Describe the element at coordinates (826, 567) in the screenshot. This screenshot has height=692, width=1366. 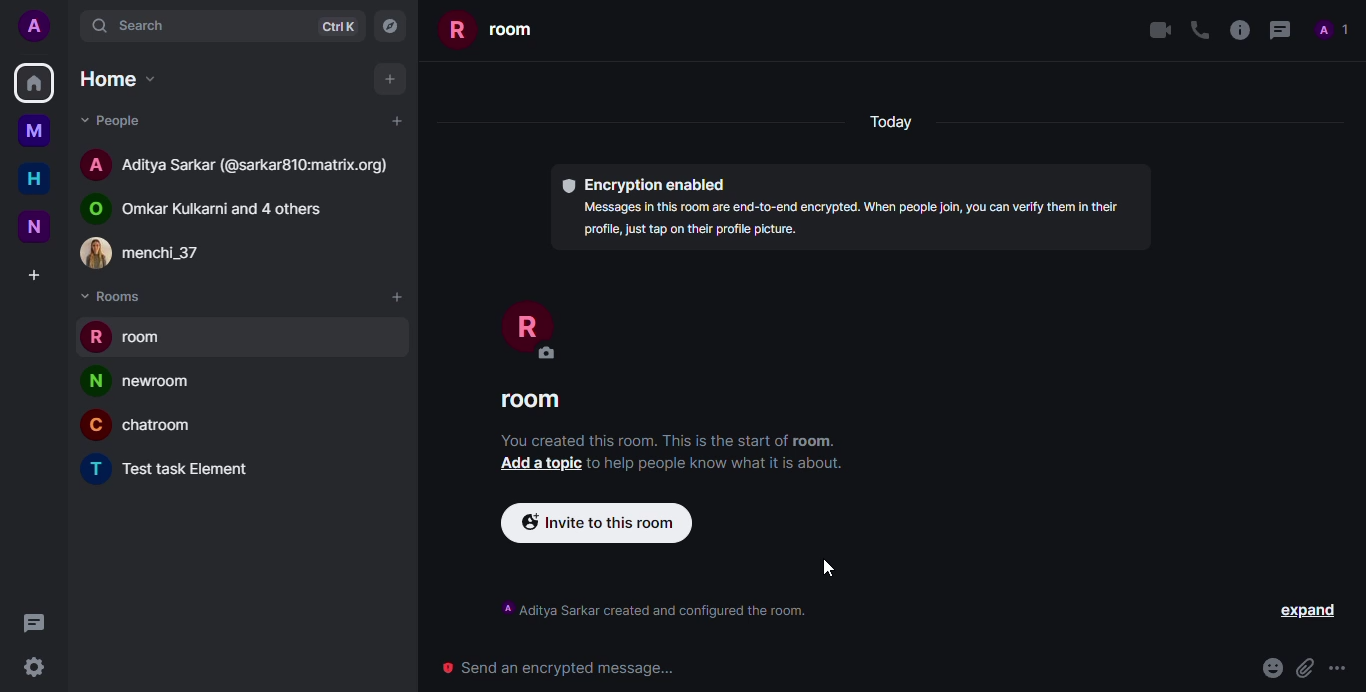
I see `cursor` at that location.